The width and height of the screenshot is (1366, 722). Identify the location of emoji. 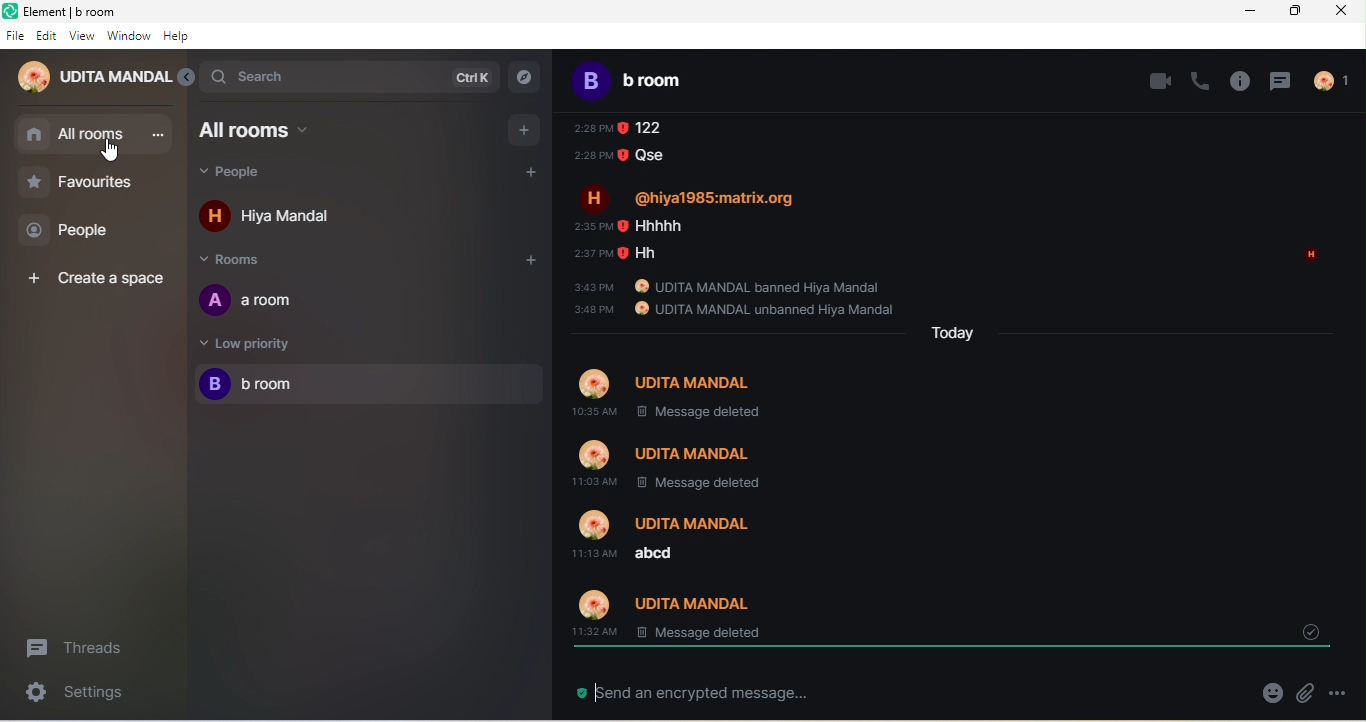
(1270, 694).